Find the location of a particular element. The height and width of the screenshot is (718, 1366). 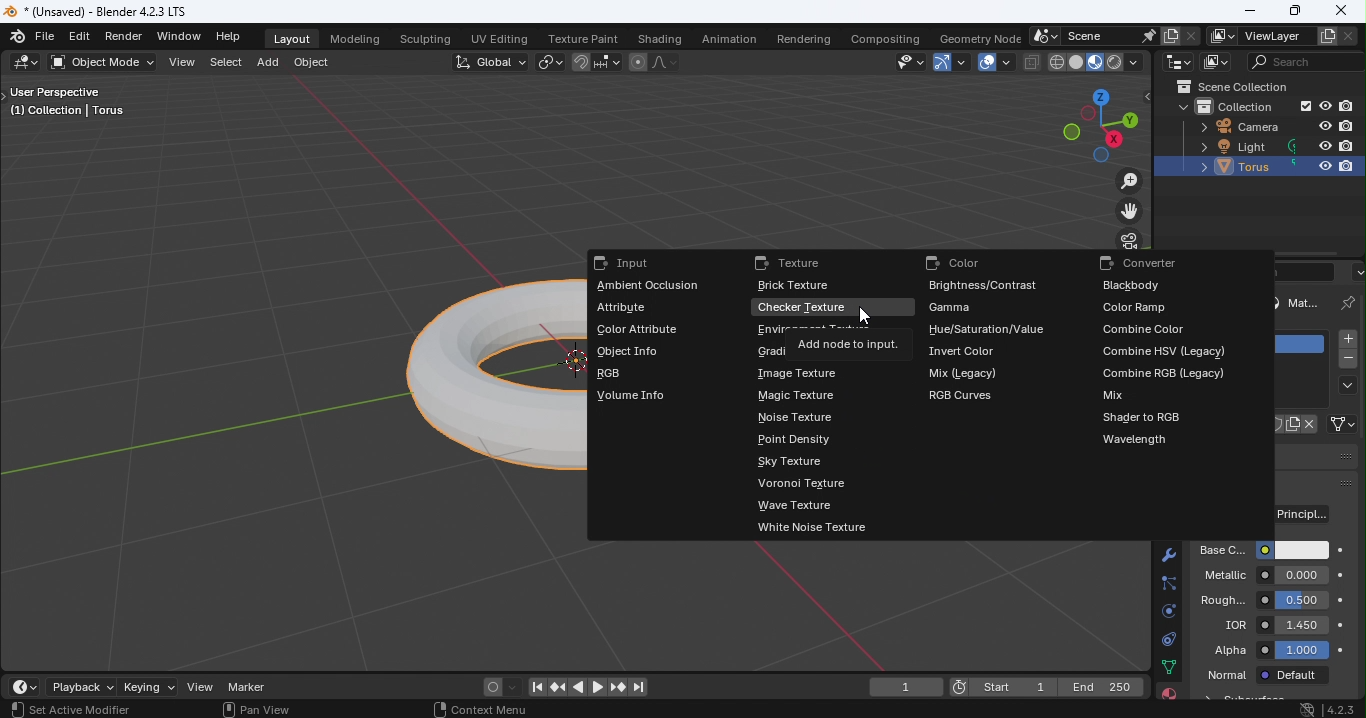

Editor type is located at coordinates (25, 687).